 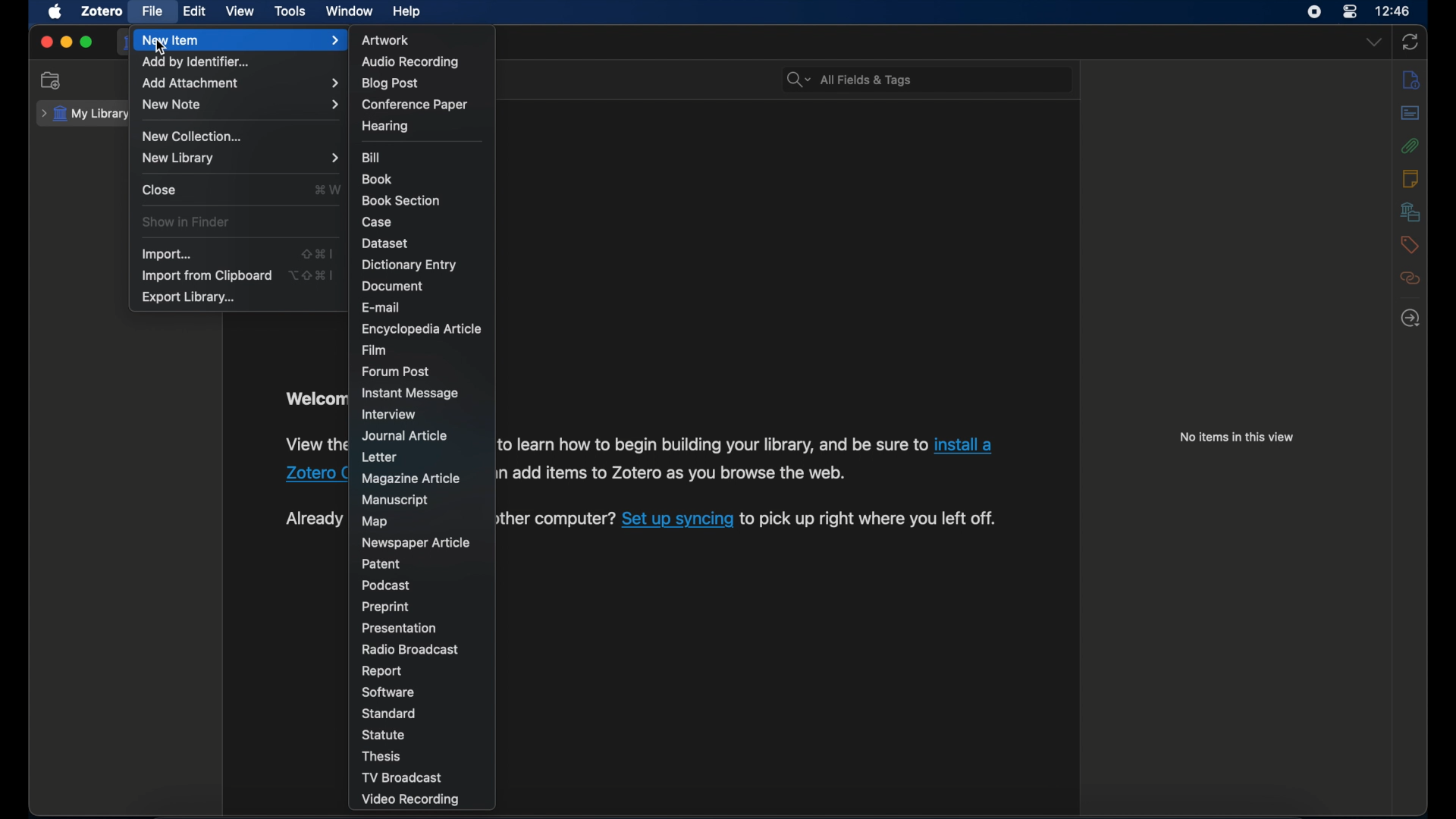 I want to click on map, so click(x=375, y=522).